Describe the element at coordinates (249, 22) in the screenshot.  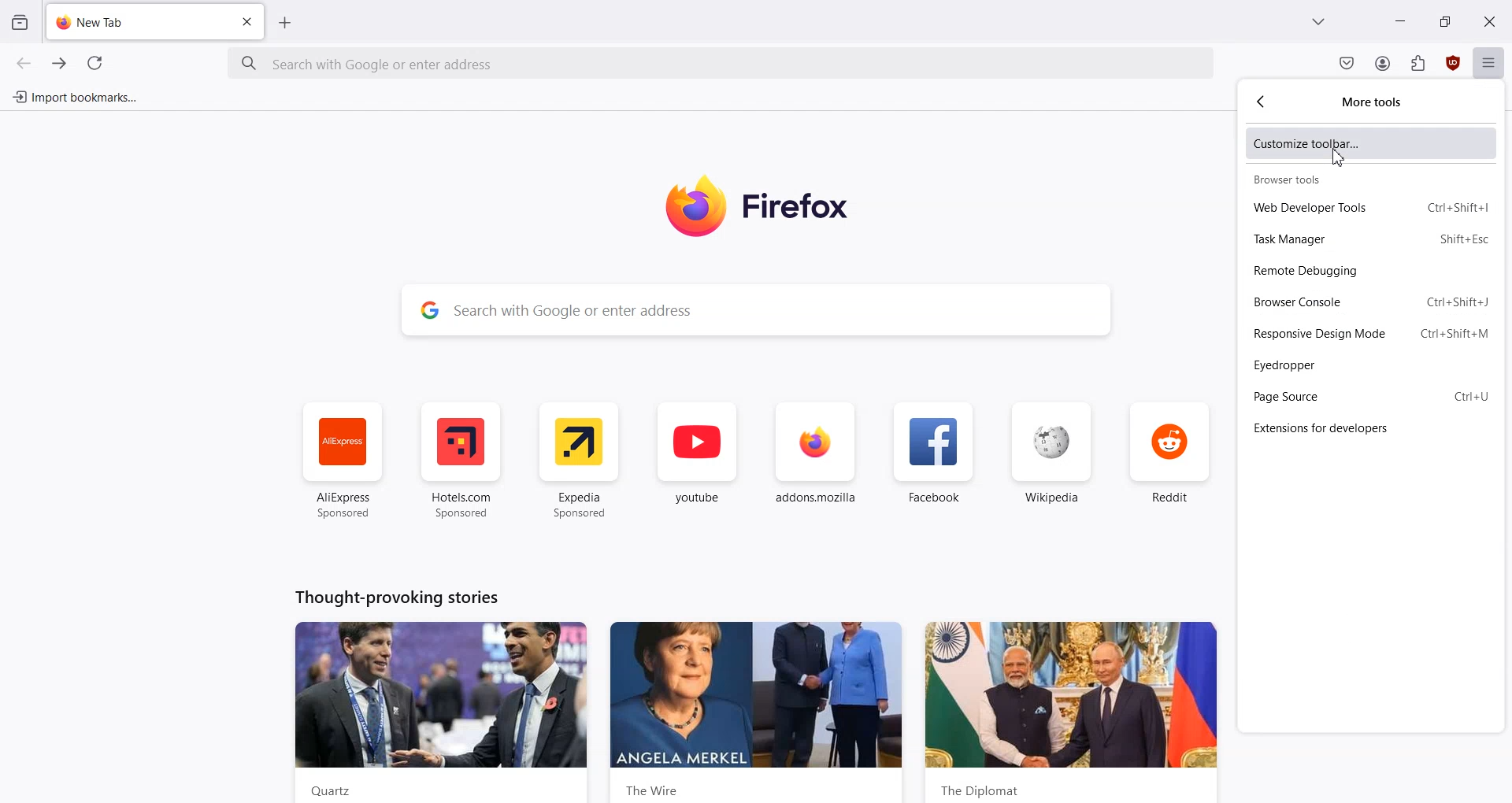
I see `Close Tab` at that location.